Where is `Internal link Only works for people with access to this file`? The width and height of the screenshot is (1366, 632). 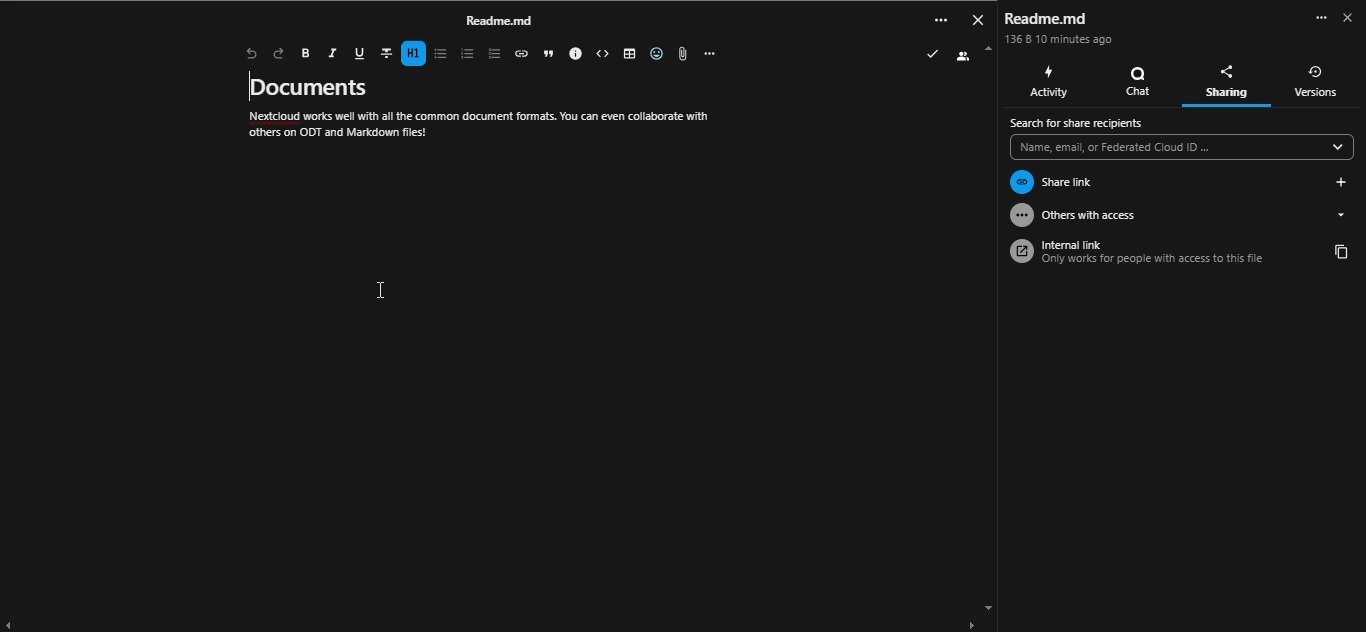
Internal link Only works for people with access to this file is located at coordinates (1161, 252).